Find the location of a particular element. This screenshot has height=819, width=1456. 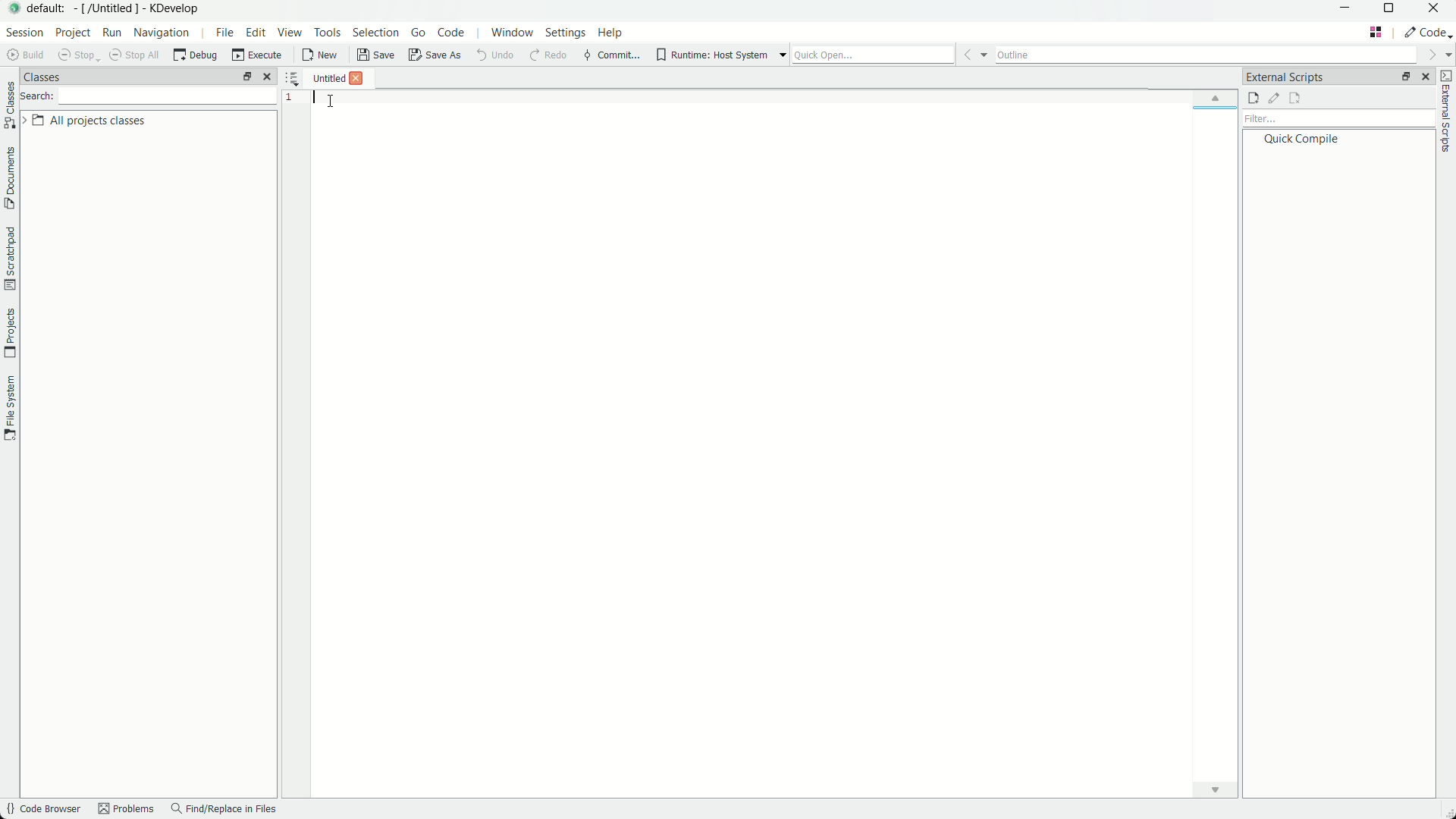

new file is located at coordinates (325, 56).